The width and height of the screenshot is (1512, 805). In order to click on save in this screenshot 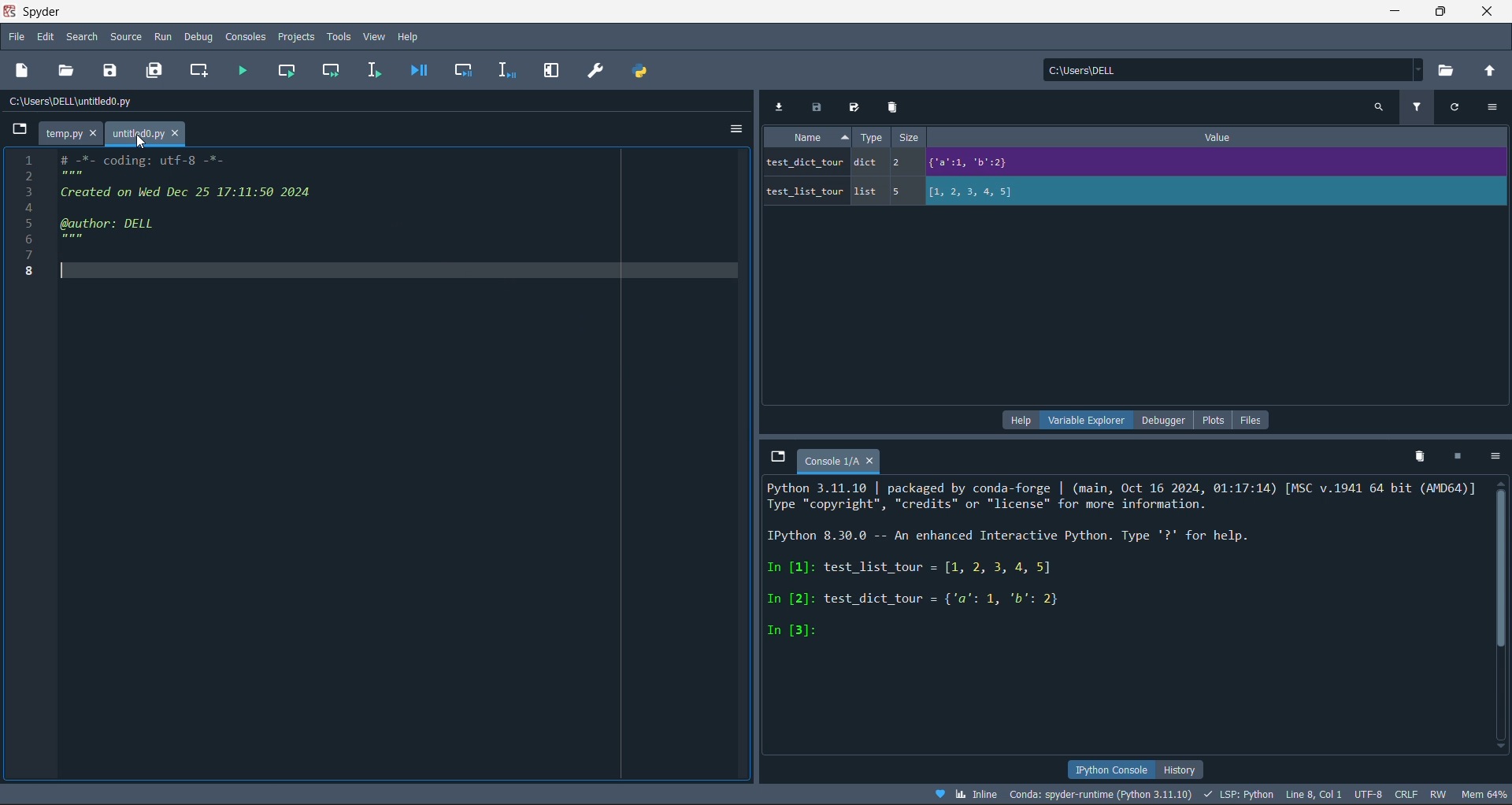, I will do `click(816, 106)`.